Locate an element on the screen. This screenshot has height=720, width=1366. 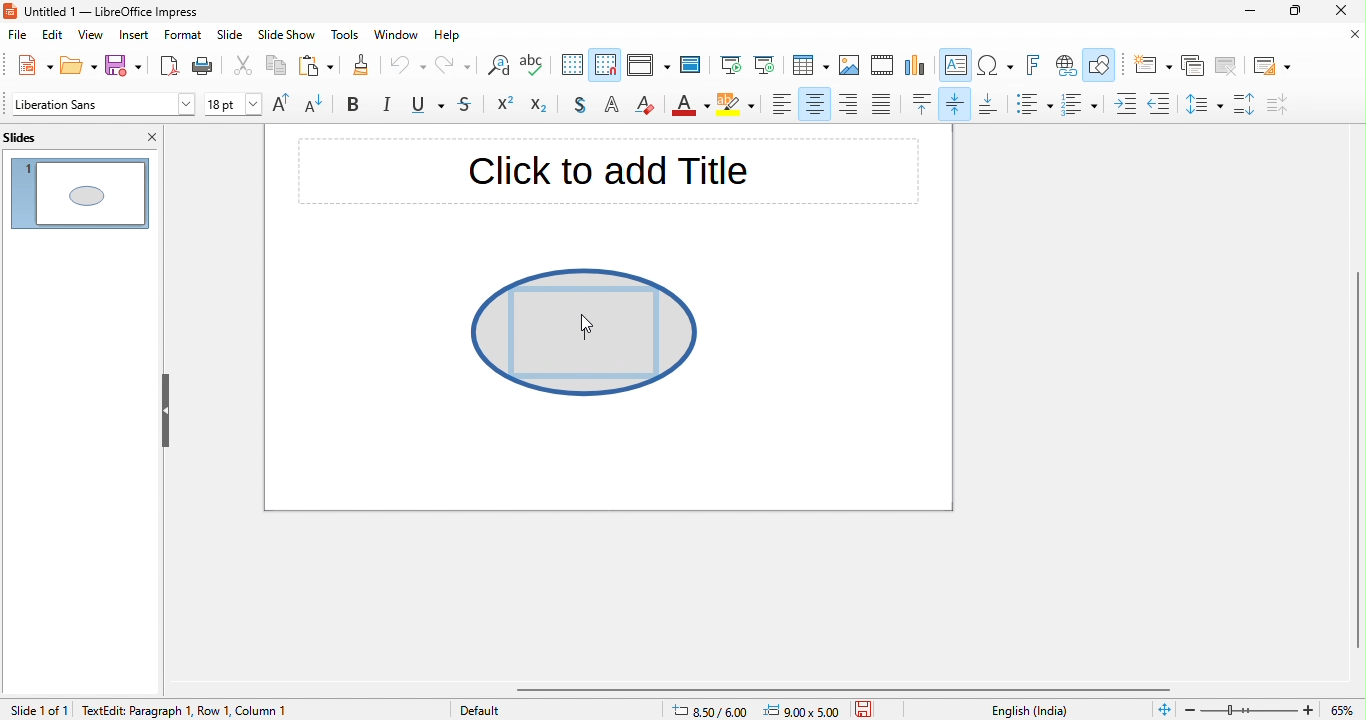
slide 1 of 1 is located at coordinates (38, 709).